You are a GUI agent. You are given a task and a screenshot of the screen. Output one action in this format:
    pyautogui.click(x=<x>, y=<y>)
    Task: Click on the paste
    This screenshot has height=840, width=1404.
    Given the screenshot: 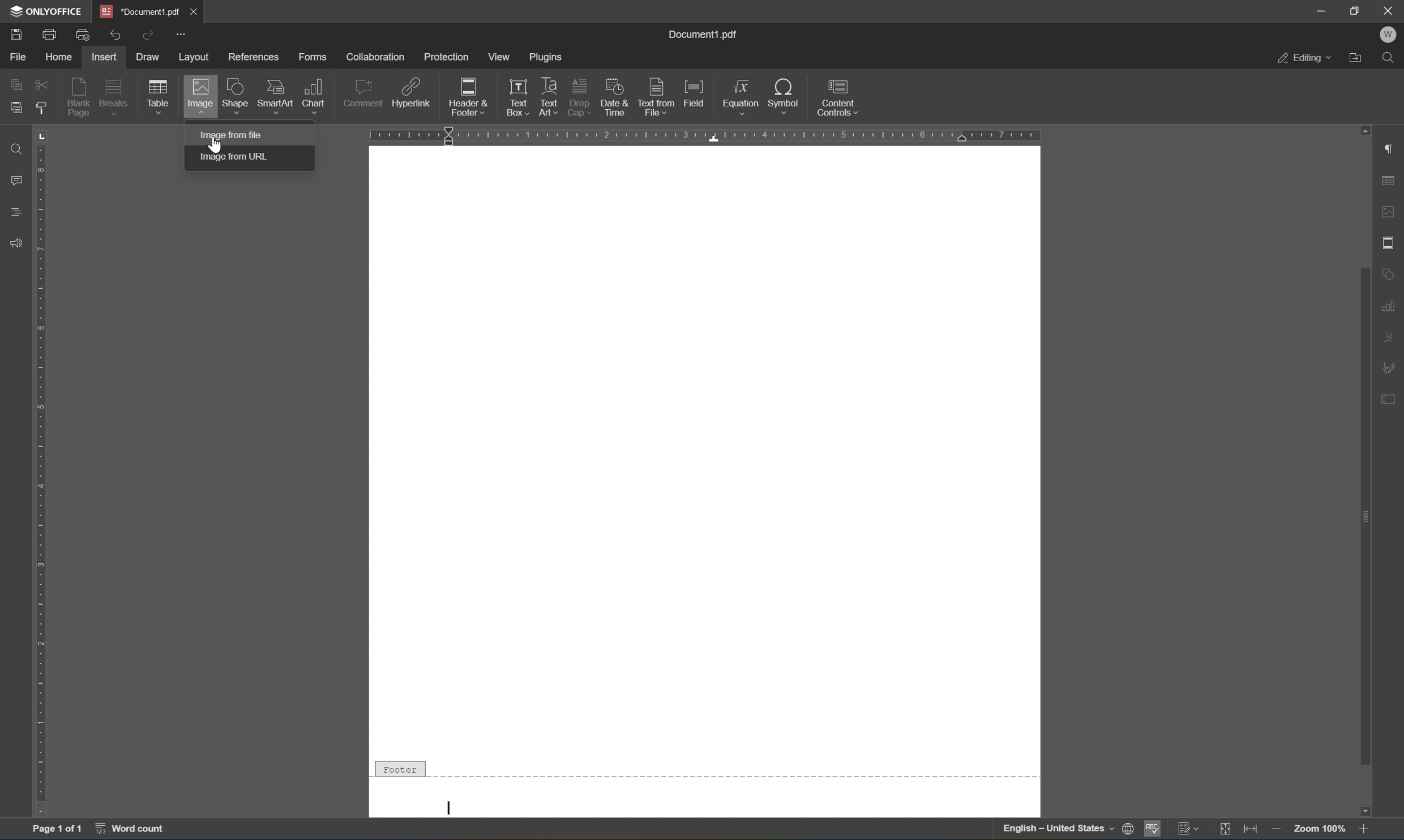 What is the action you would take?
    pyautogui.click(x=15, y=110)
    